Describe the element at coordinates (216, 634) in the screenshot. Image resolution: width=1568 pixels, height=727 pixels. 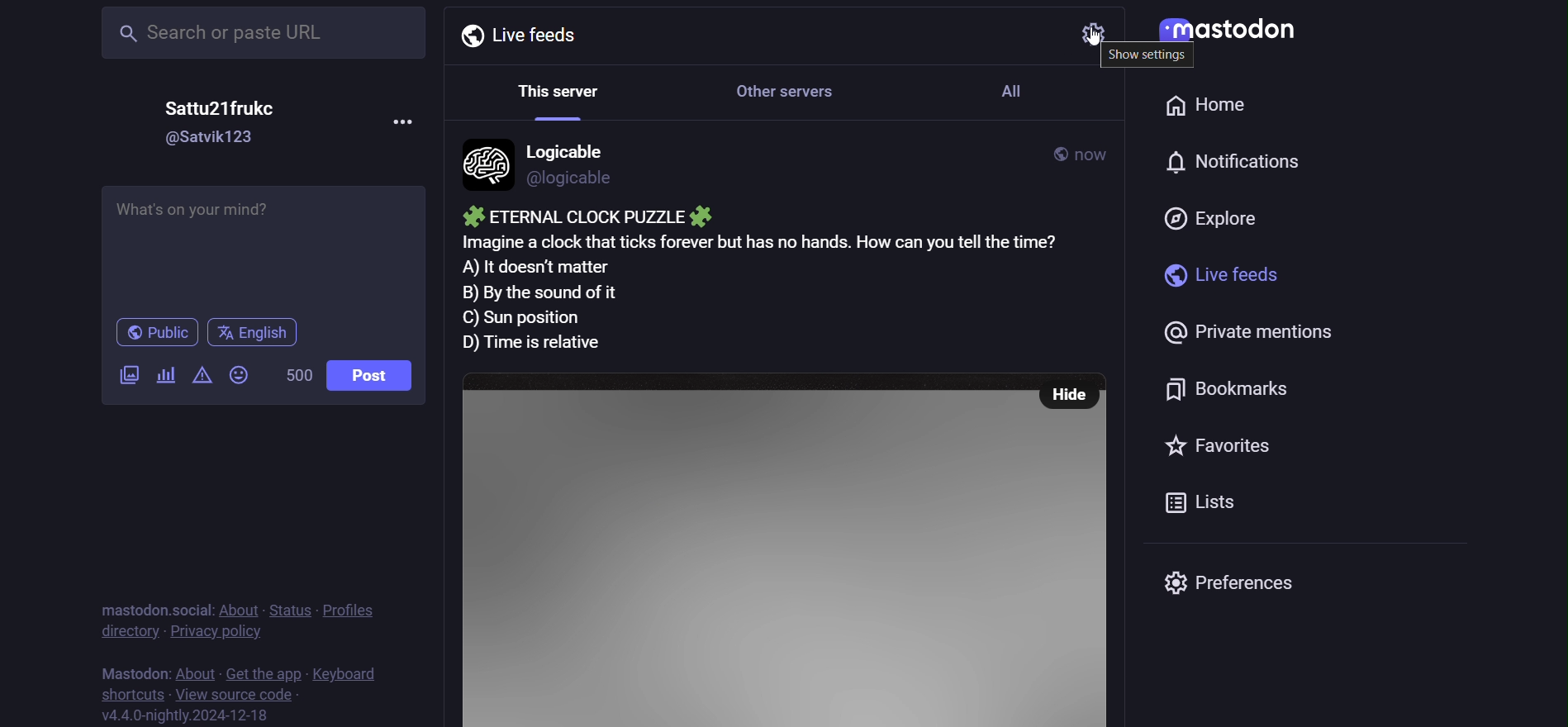
I see `privacy policy` at that location.